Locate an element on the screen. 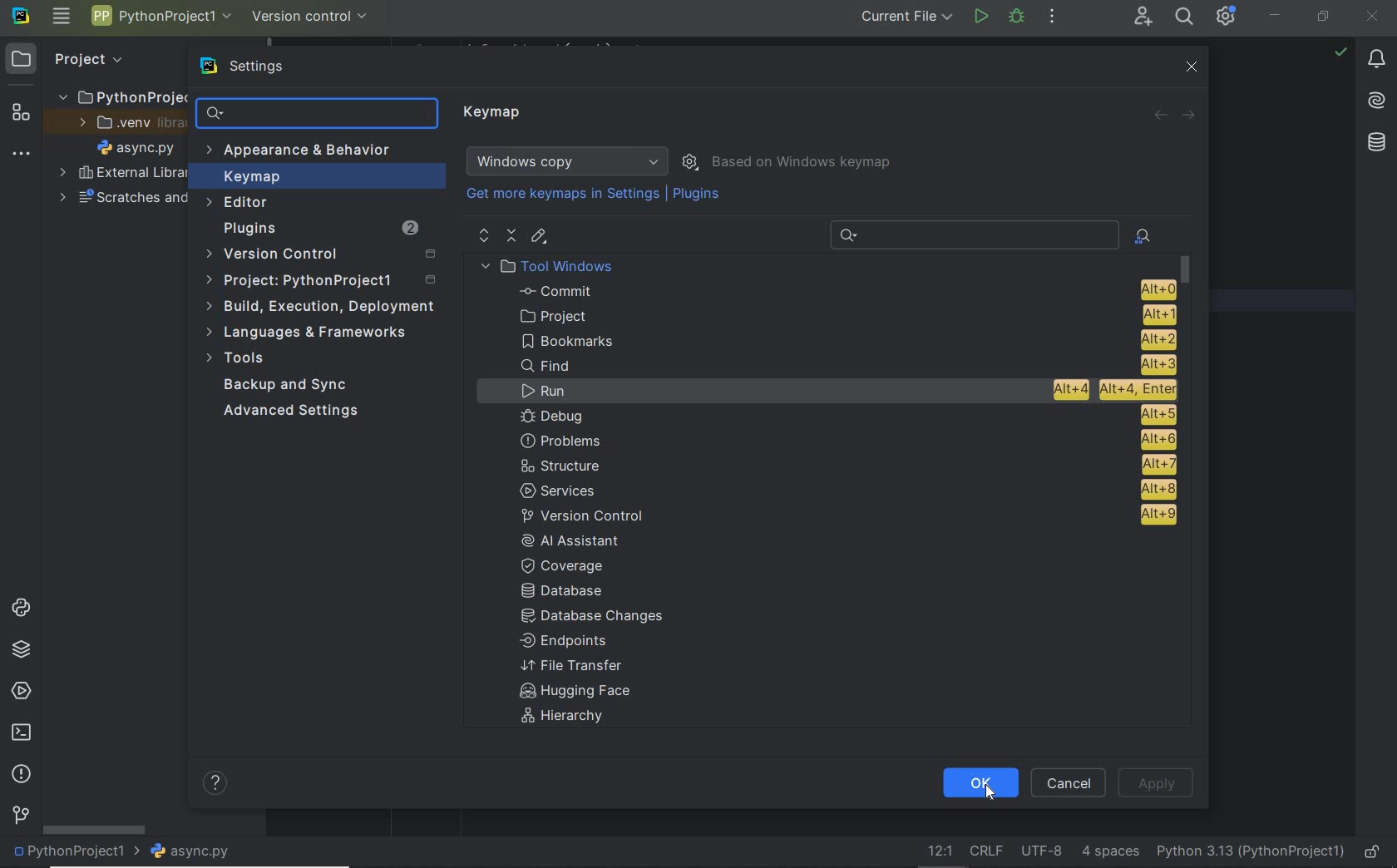  structure is located at coordinates (18, 111).